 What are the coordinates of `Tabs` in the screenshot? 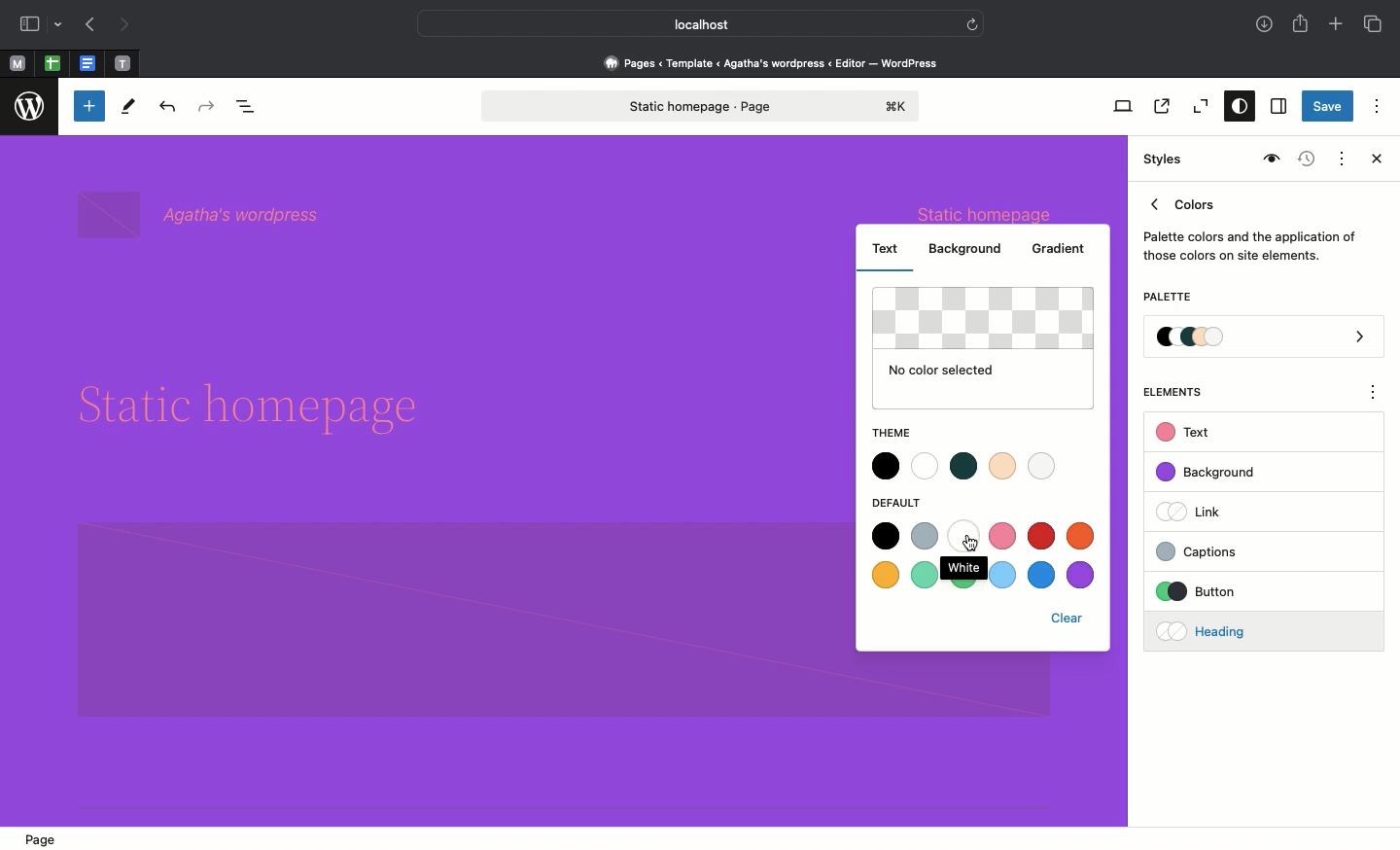 It's located at (1375, 24).